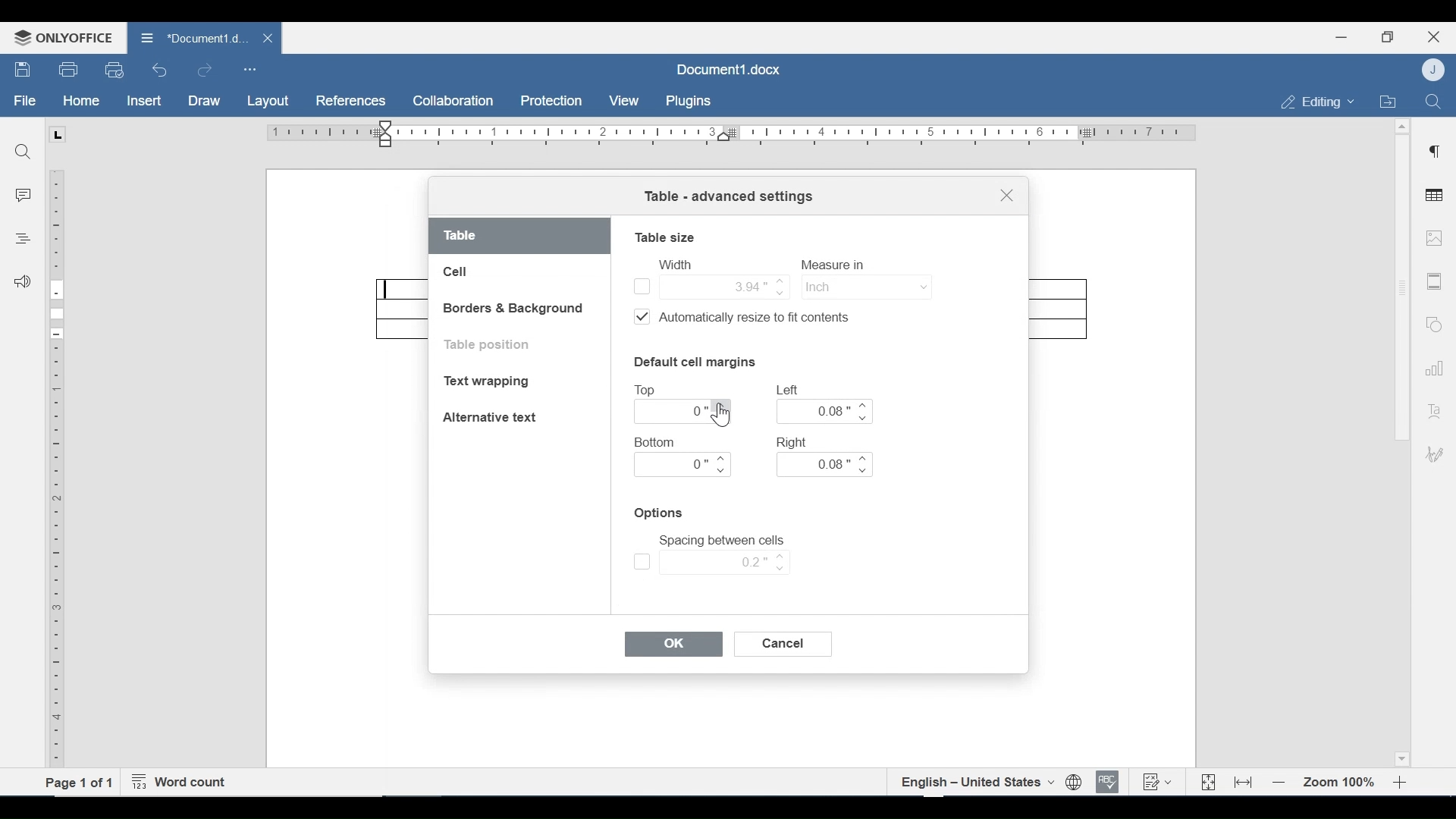 This screenshot has height=819, width=1456. What do you see at coordinates (26, 101) in the screenshot?
I see `File` at bounding box center [26, 101].